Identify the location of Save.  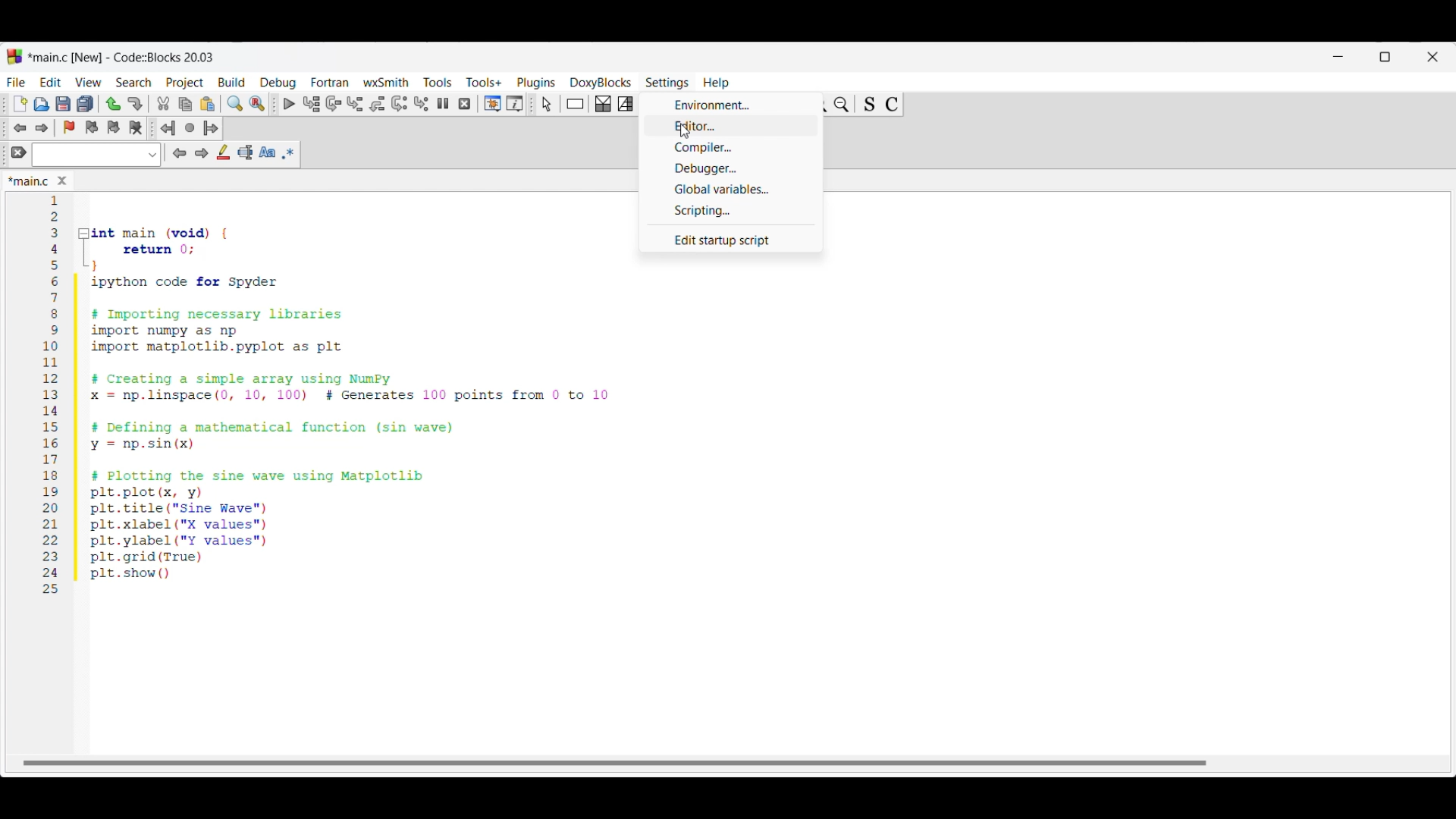
(63, 104).